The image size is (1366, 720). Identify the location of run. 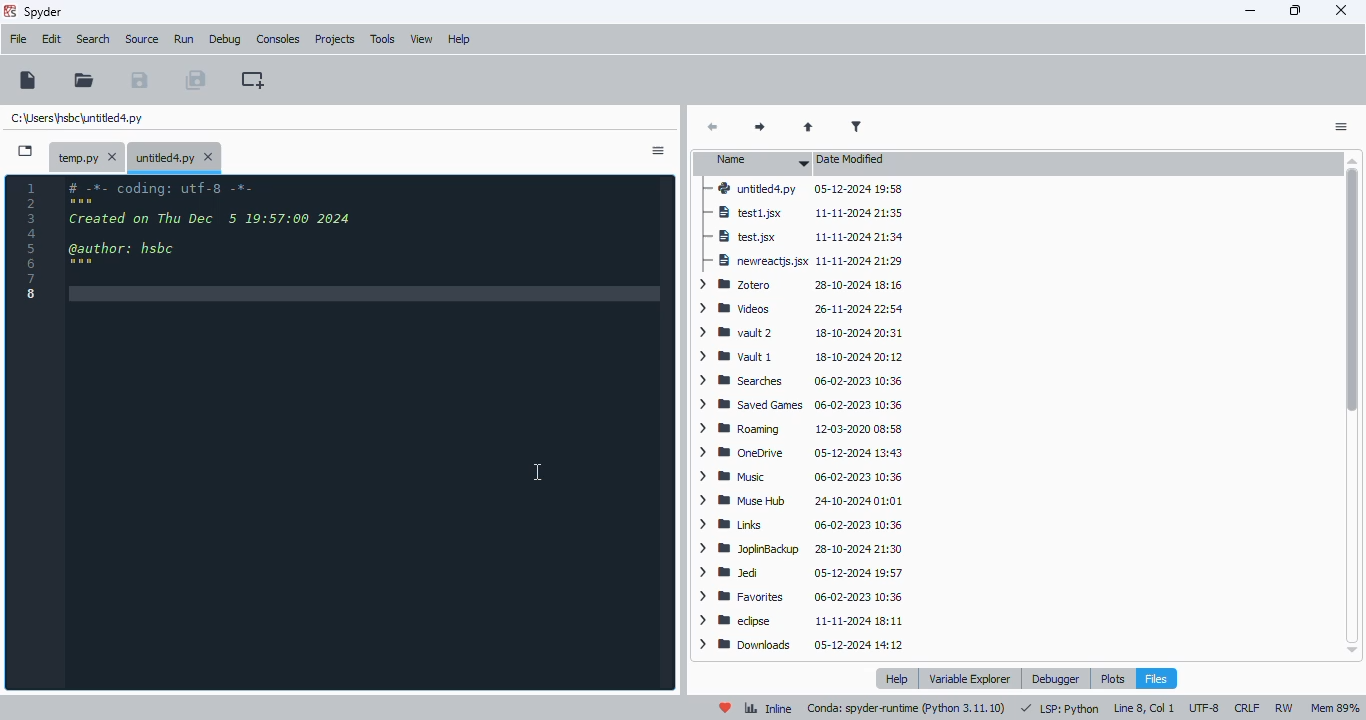
(184, 39).